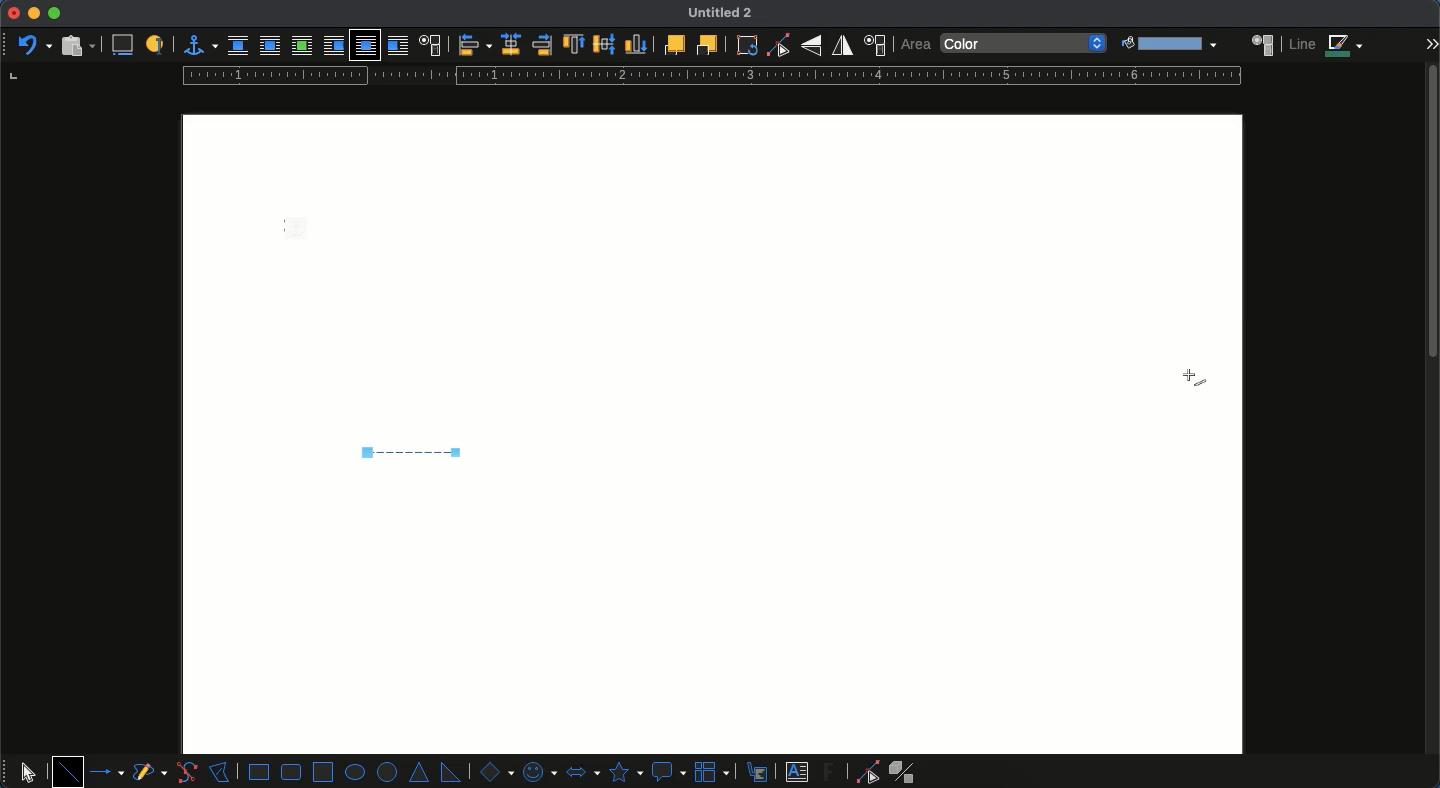  What do you see at coordinates (714, 771) in the screenshot?
I see `flowchart` at bounding box center [714, 771].